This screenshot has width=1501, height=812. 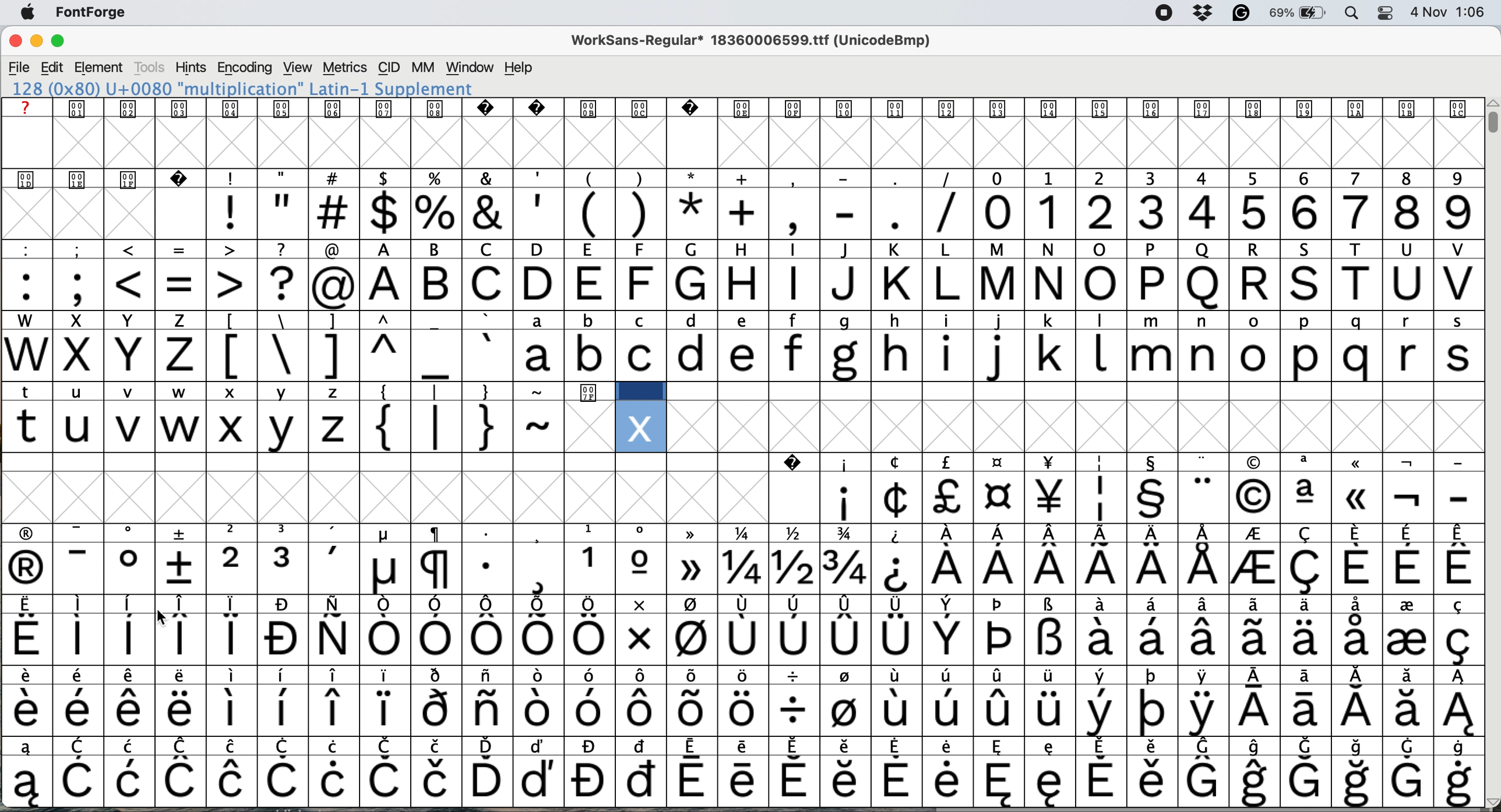 I want to click on window, so click(x=469, y=68).